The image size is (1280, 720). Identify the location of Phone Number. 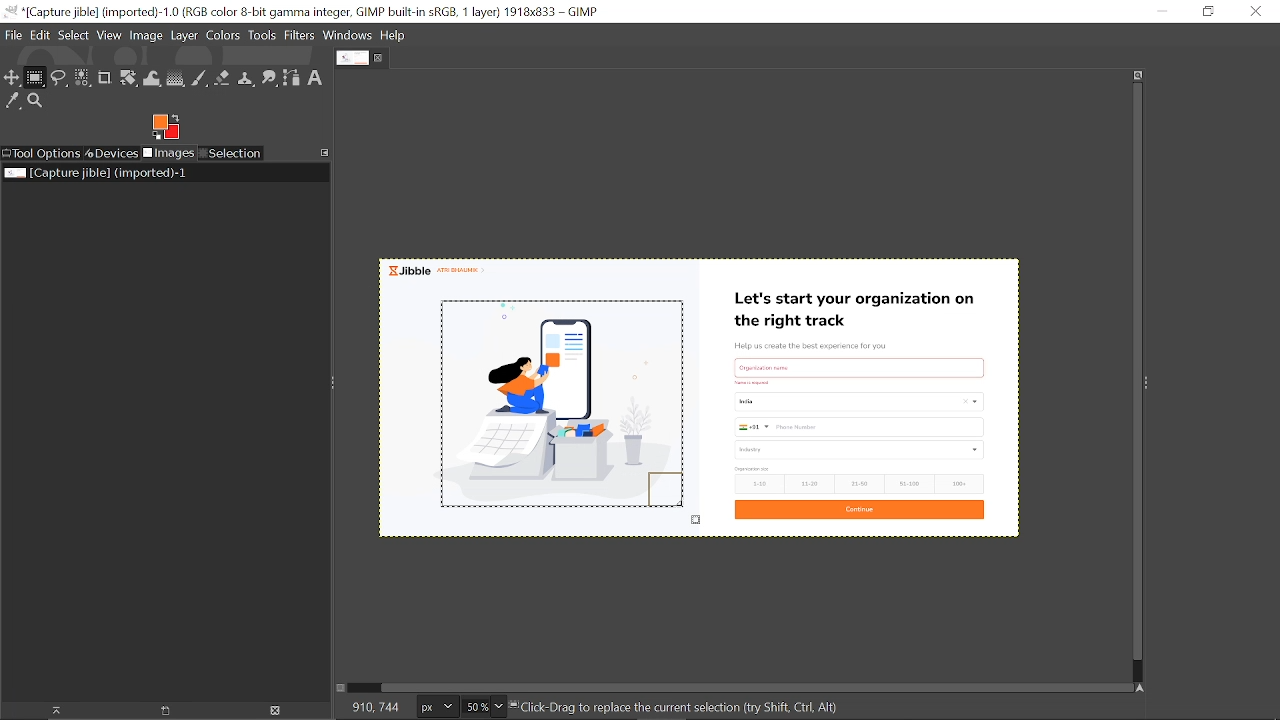
(858, 427).